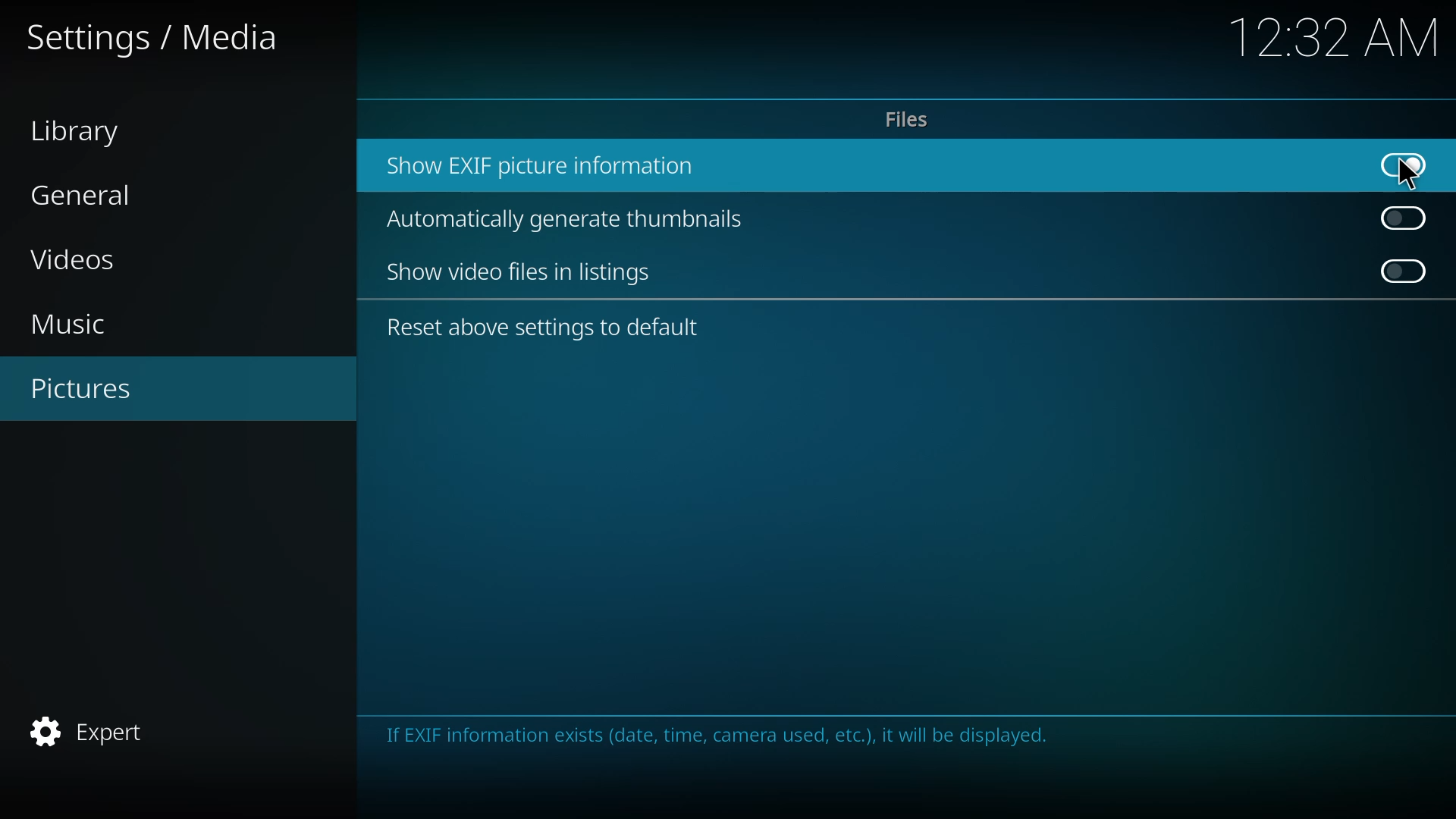 Image resolution: width=1456 pixels, height=819 pixels. Describe the element at coordinates (101, 729) in the screenshot. I see `expert` at that location.